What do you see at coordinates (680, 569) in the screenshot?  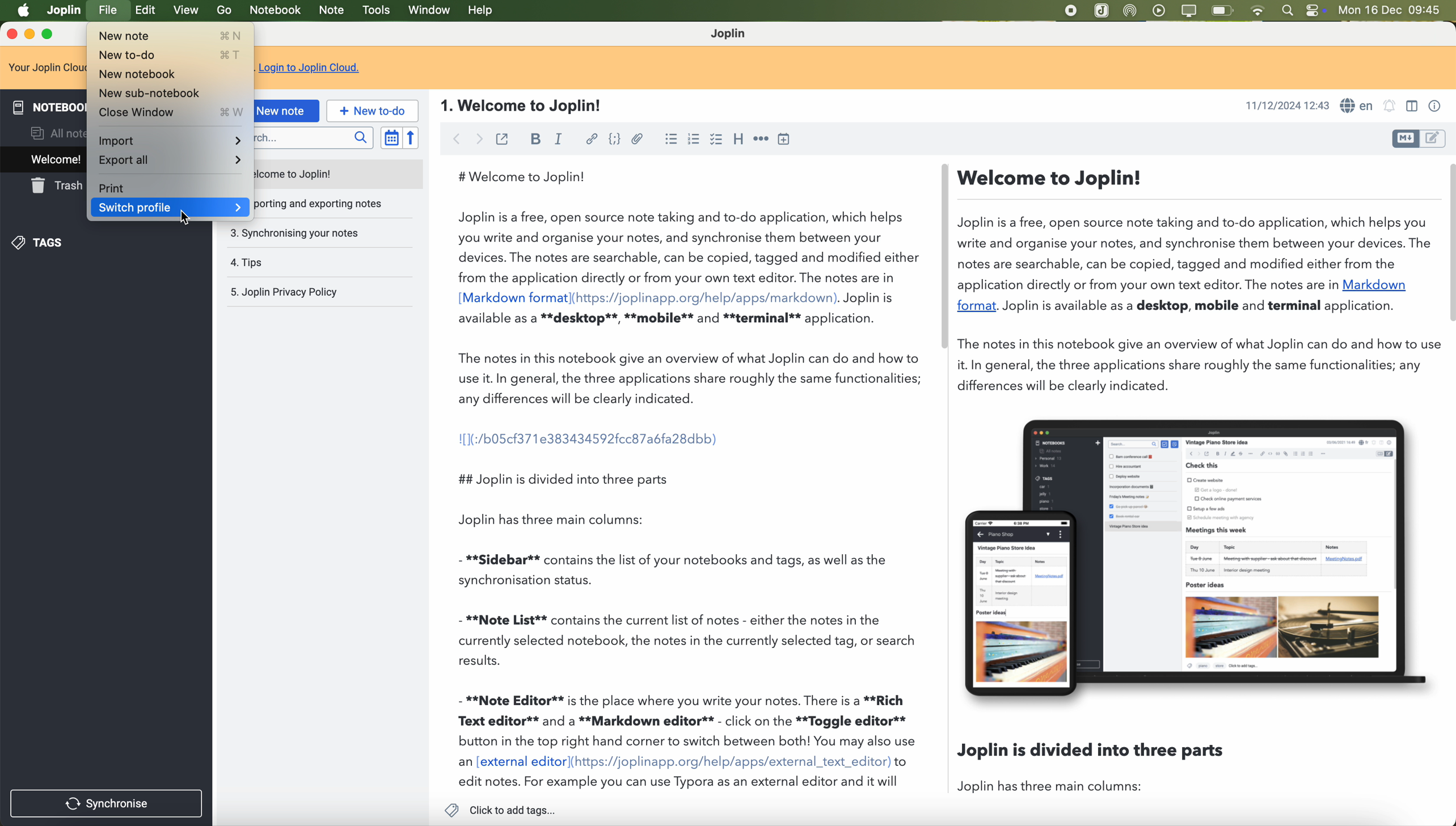 I see `- **Sidebar** contains the list of your notebooks and tags, as well as the
synchronisation status.` at bounding box center [680, 569].